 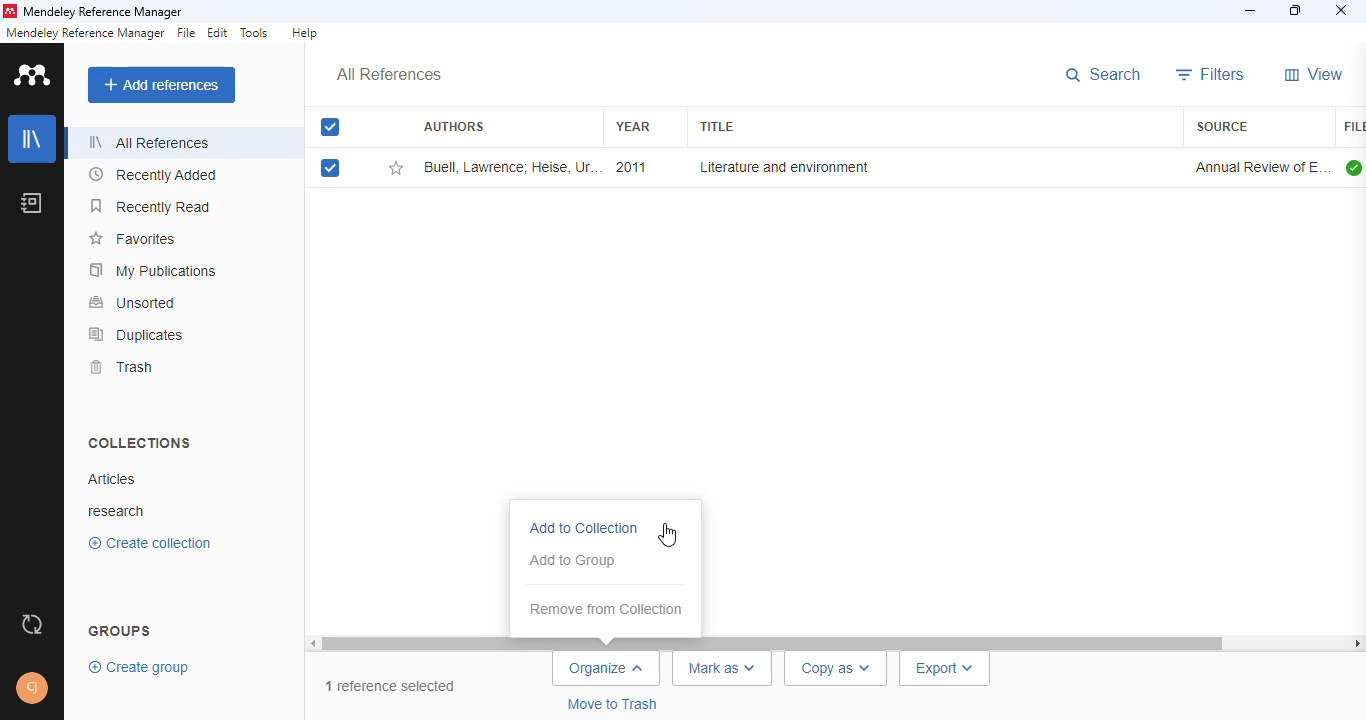 What do you see at coordinates (1297, 10) in the screenshot?
I see `maximize` at bounding box center [1297, 10].